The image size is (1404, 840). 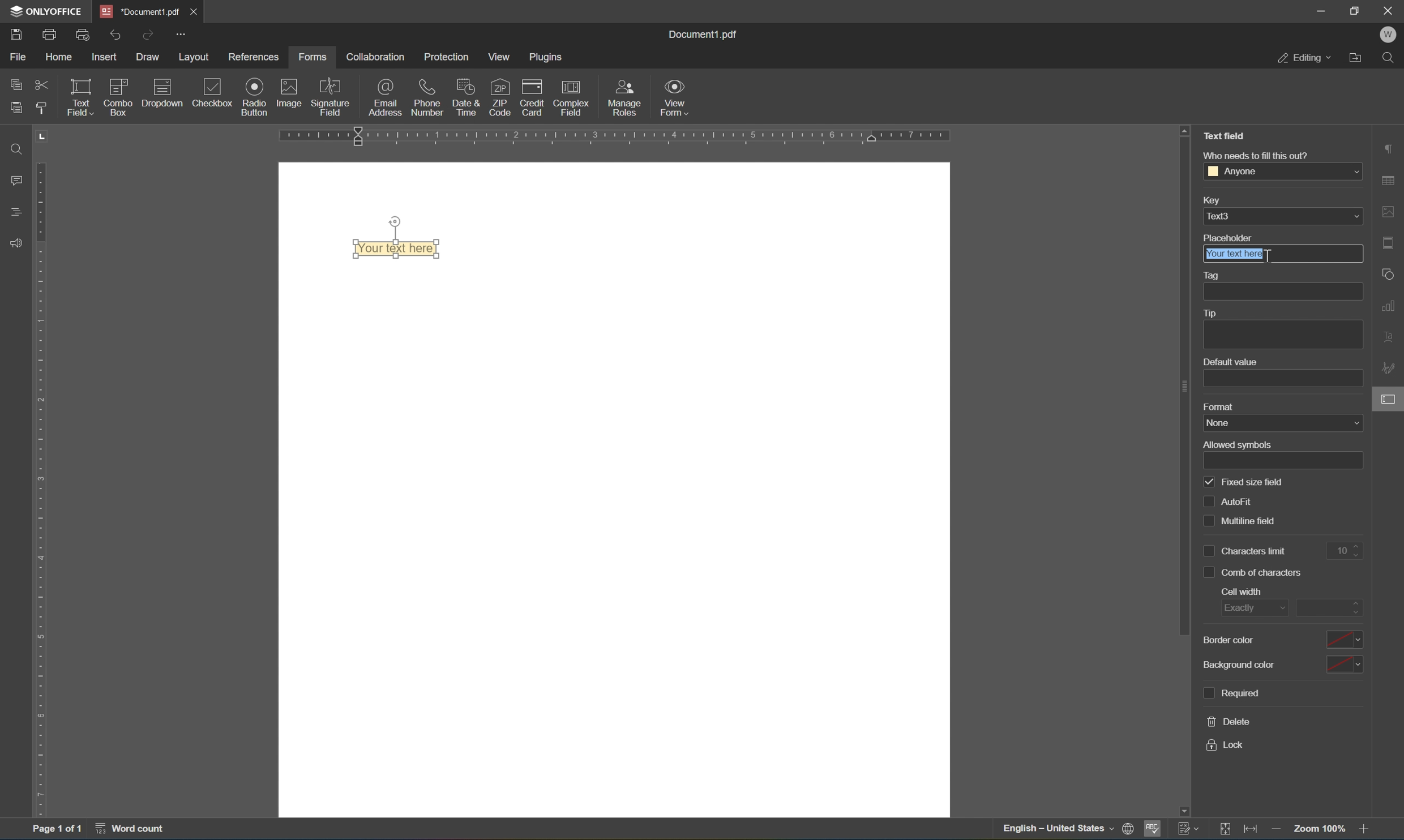 What do you see at coordinates (195, 57) in the screenshot?
I see `layout` at bounding box center [195, 57].